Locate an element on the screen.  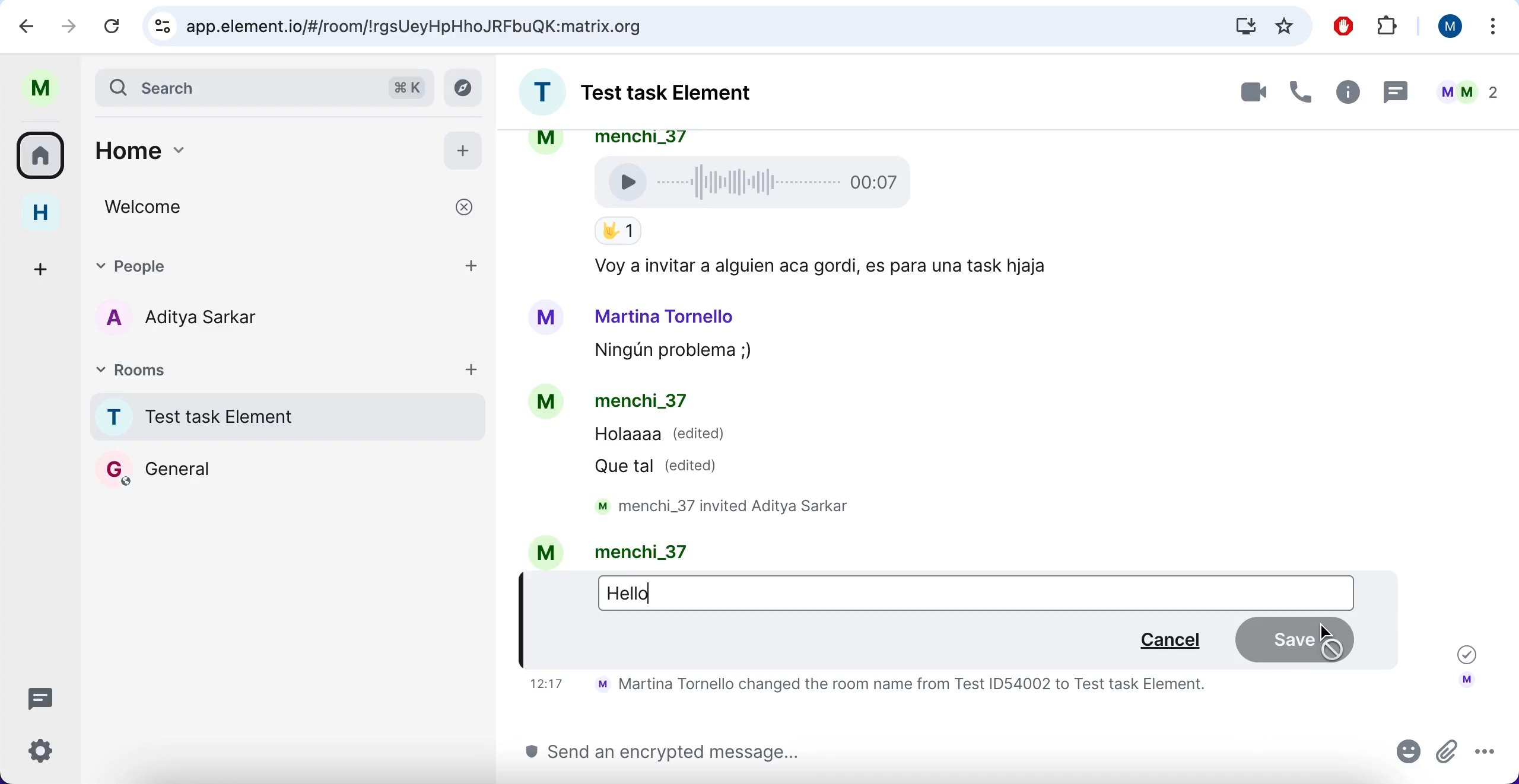
add is located at coordinates (464, 151).